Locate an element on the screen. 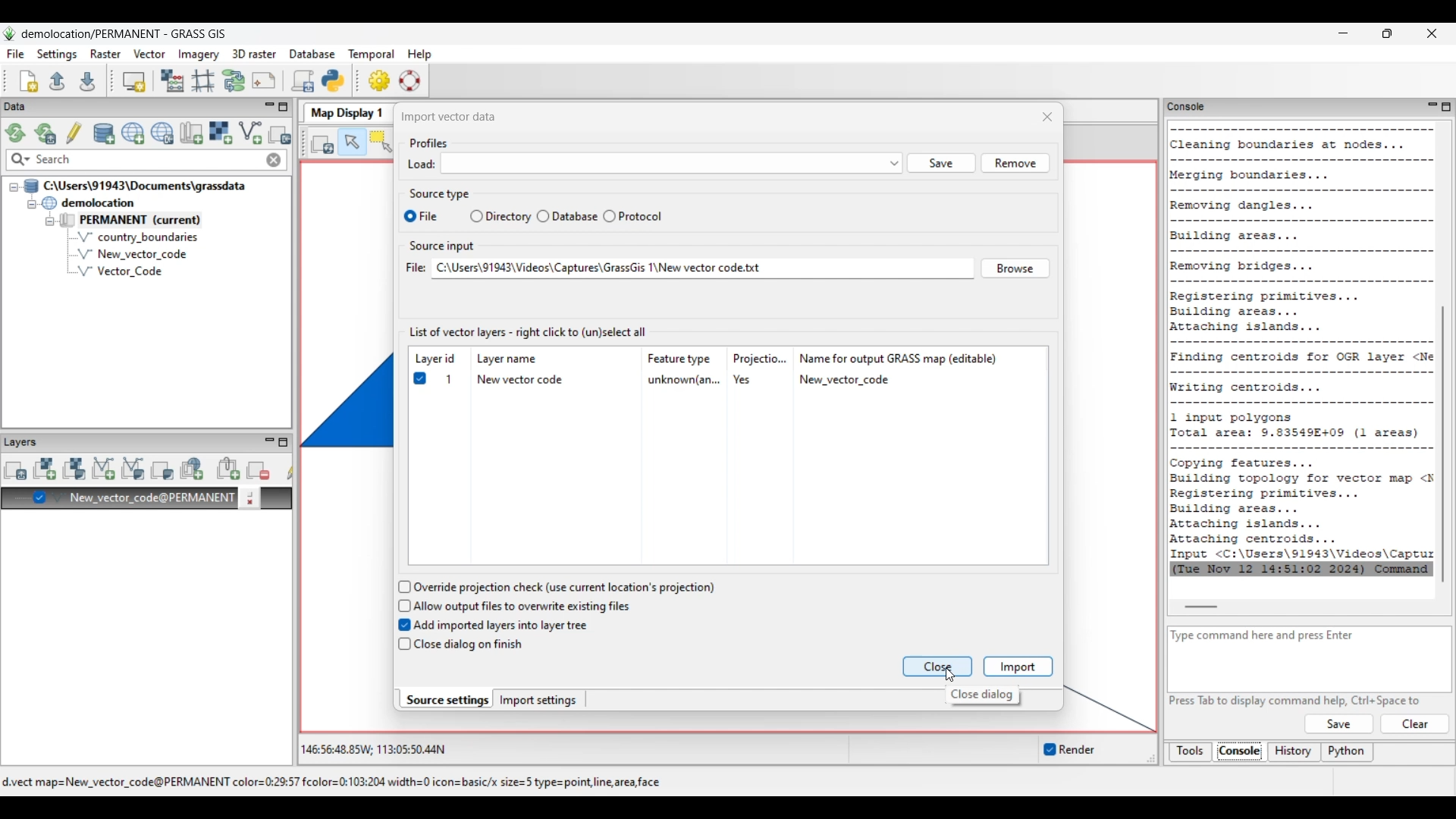 Image resolution: width=1456 pixels, height=819 pixels. Open a simple python code editor is located at coordinates (333, 80).